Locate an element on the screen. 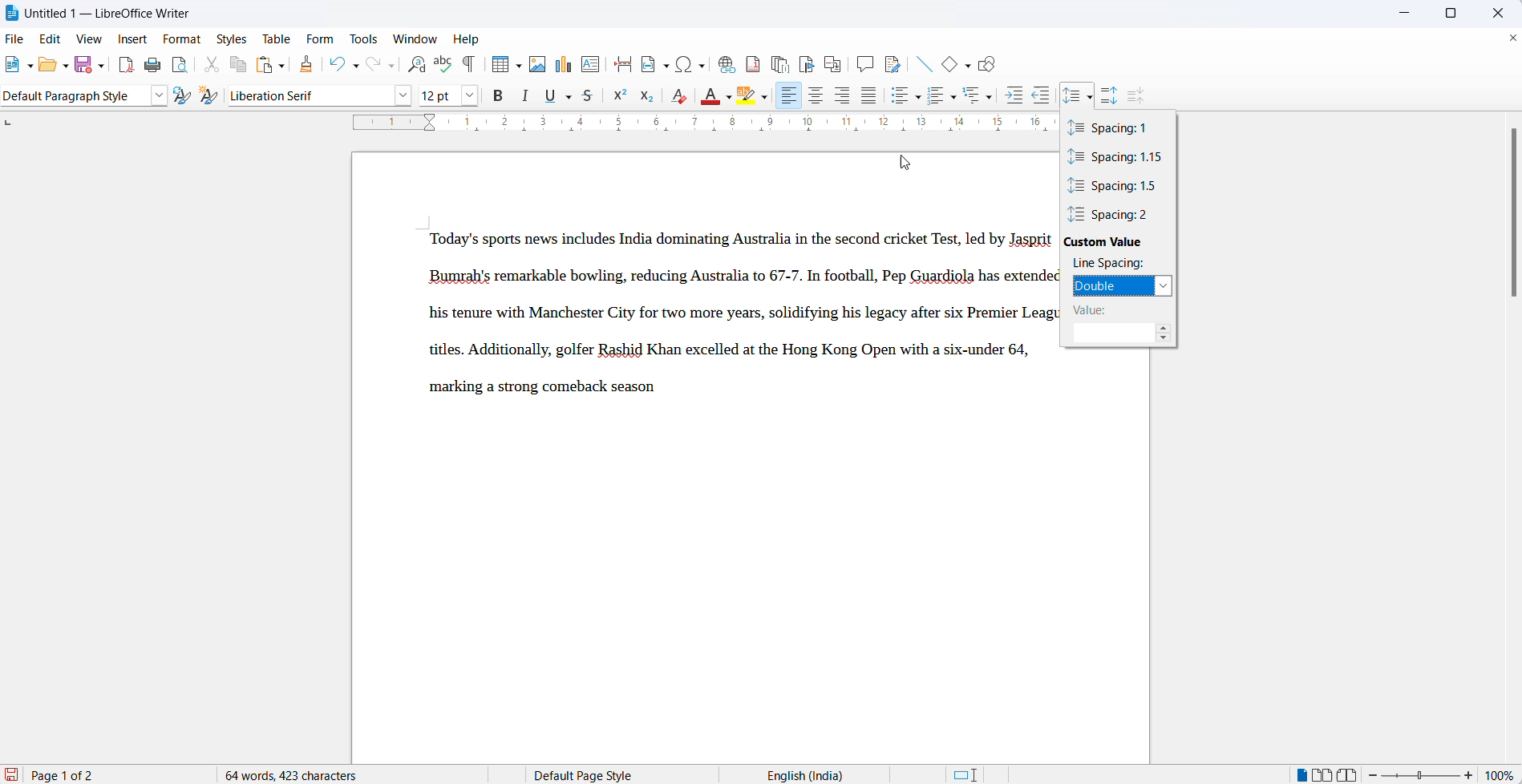 Image resolution: width=1522 pixels, height=784 pixels. insert text is located at coordinates (590, 64).